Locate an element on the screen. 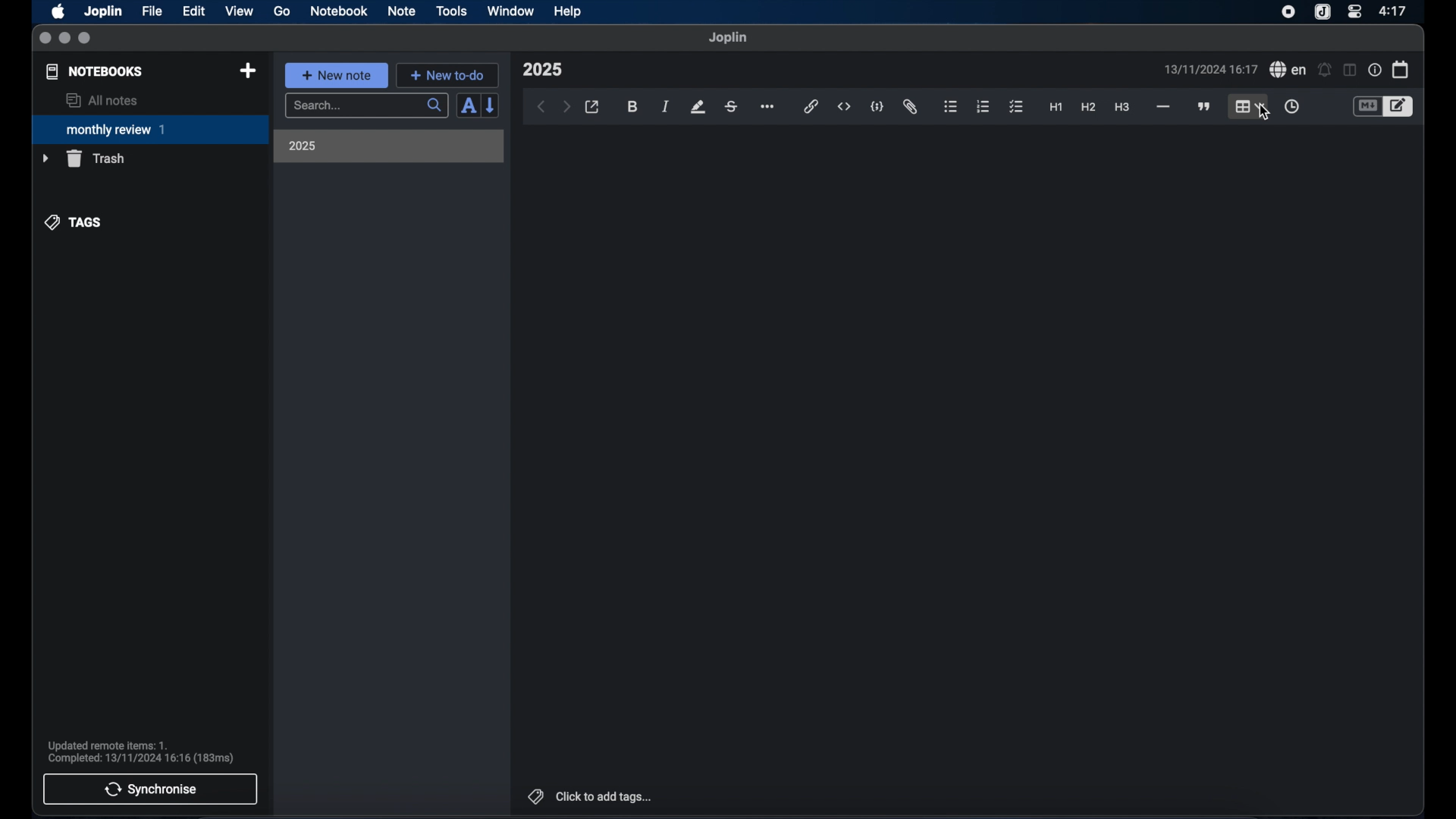 The width and height of the screenshot is (1456, 819). back is located at coordinates (541, 107).